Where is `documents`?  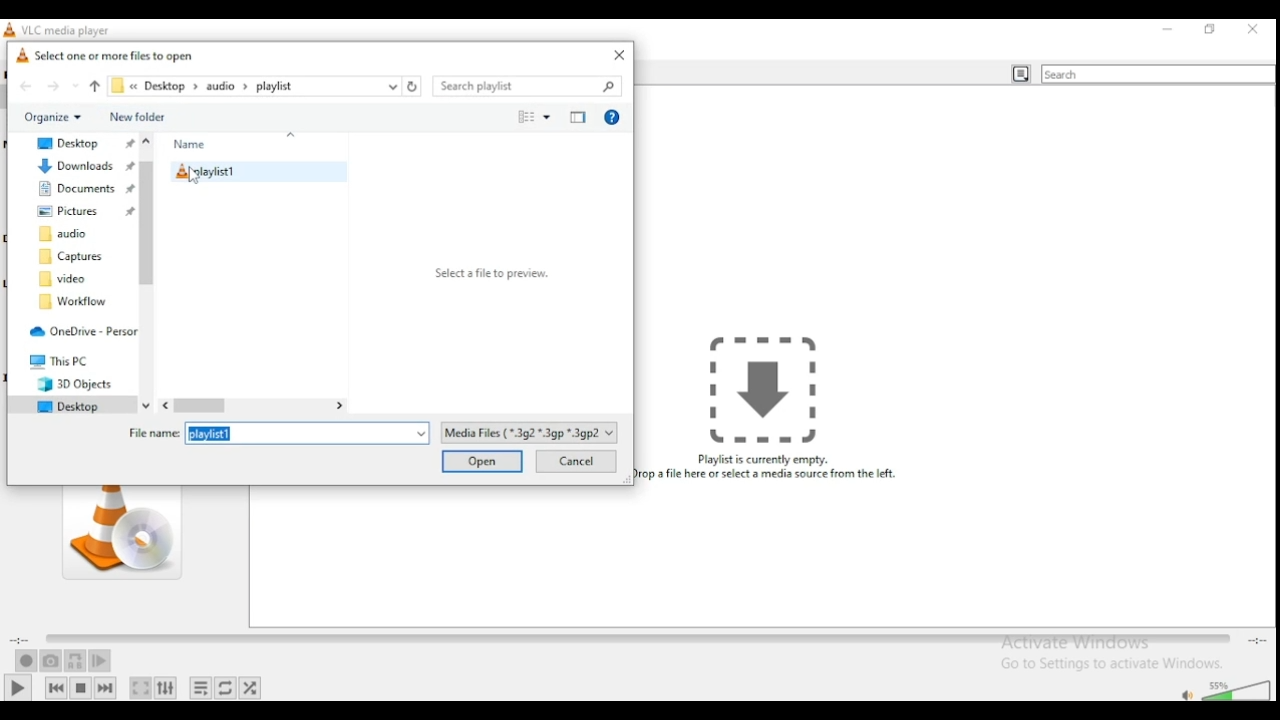 documents is located at coordinates (83, 186).